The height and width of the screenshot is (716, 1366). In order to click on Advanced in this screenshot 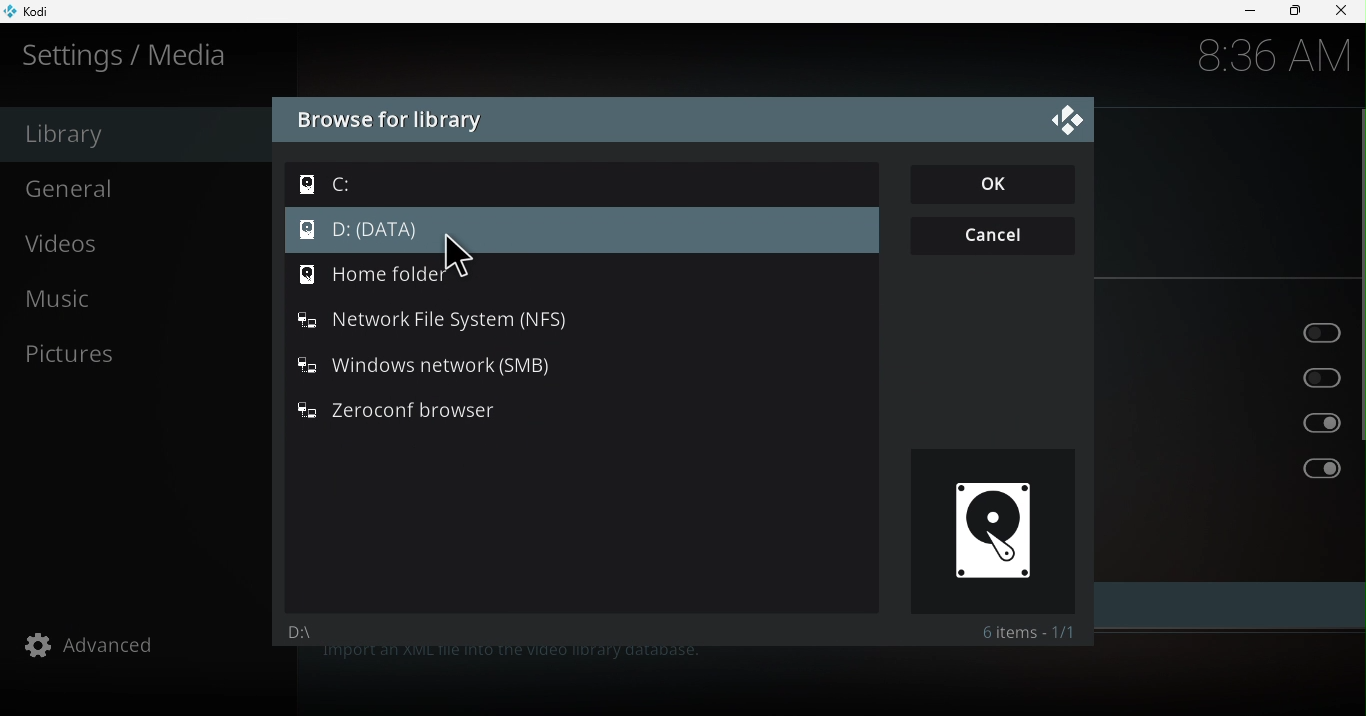, I will do `click(149, 644)`.